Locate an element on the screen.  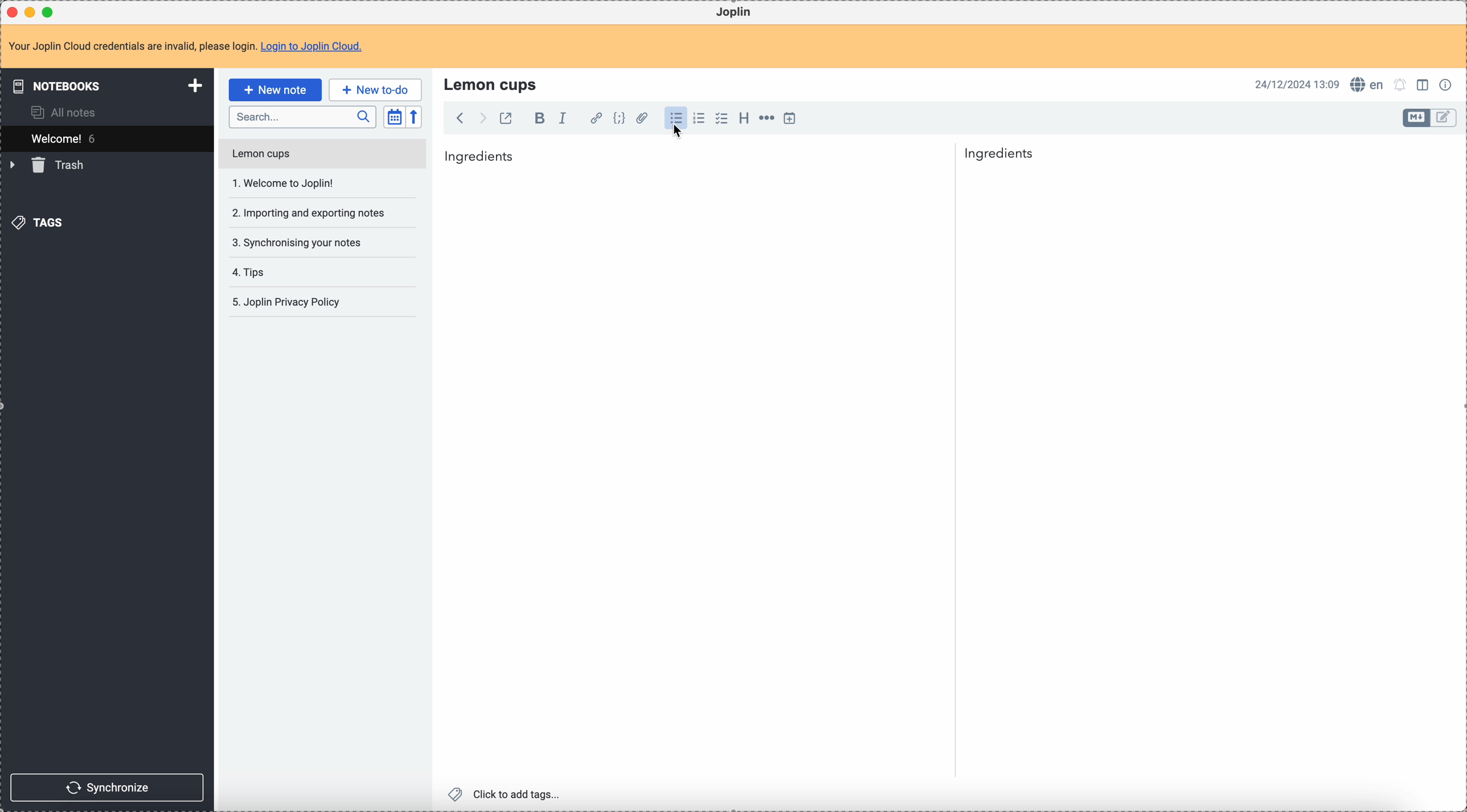
code is located at coordinates (619, 119).